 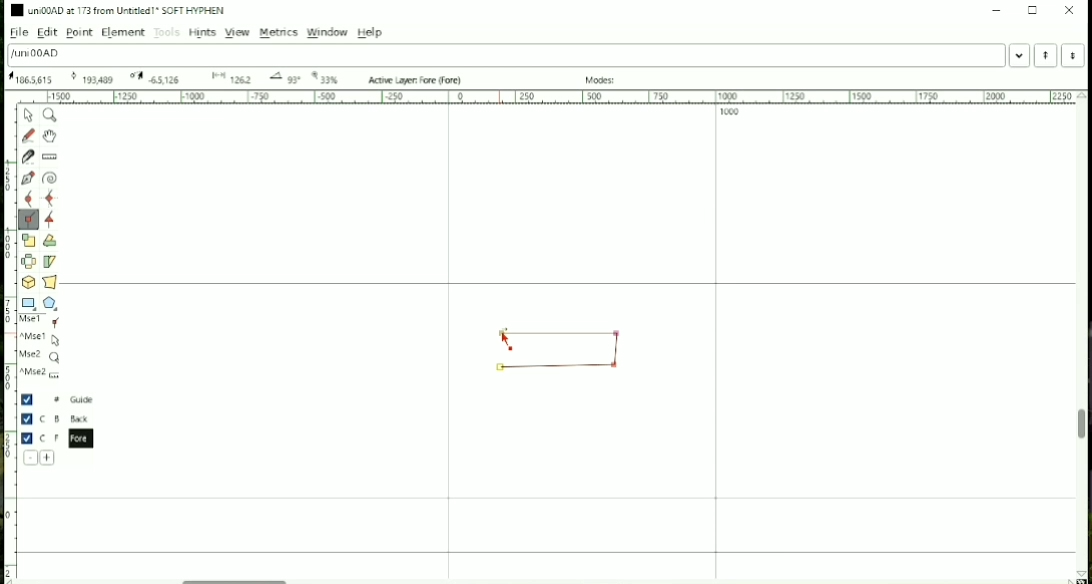 I want to click on Modes, so click(x=603, y=80).